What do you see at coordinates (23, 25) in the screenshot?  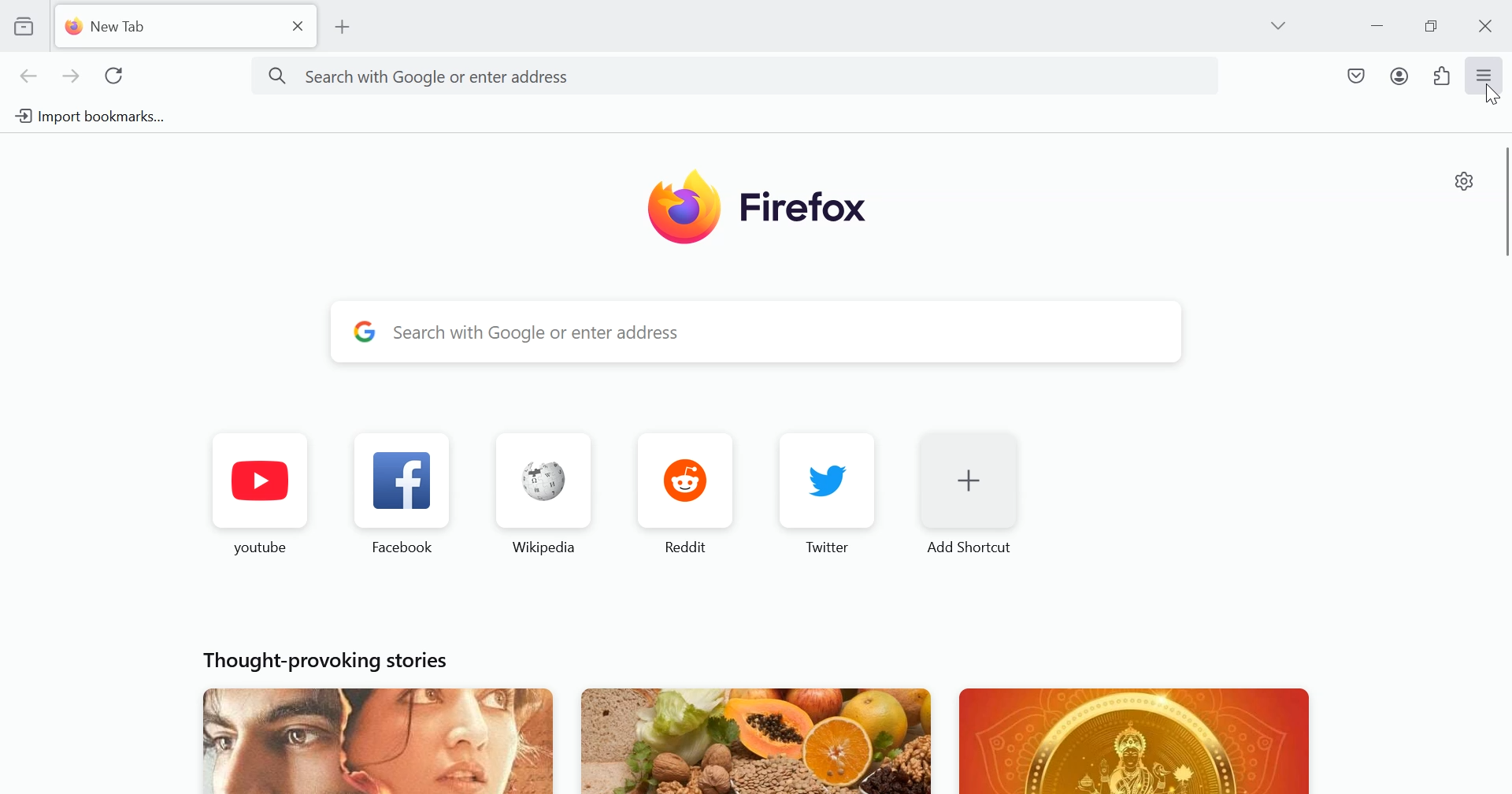 I see `View recent browsing across windows and devices` at bounding box center [23, 25].